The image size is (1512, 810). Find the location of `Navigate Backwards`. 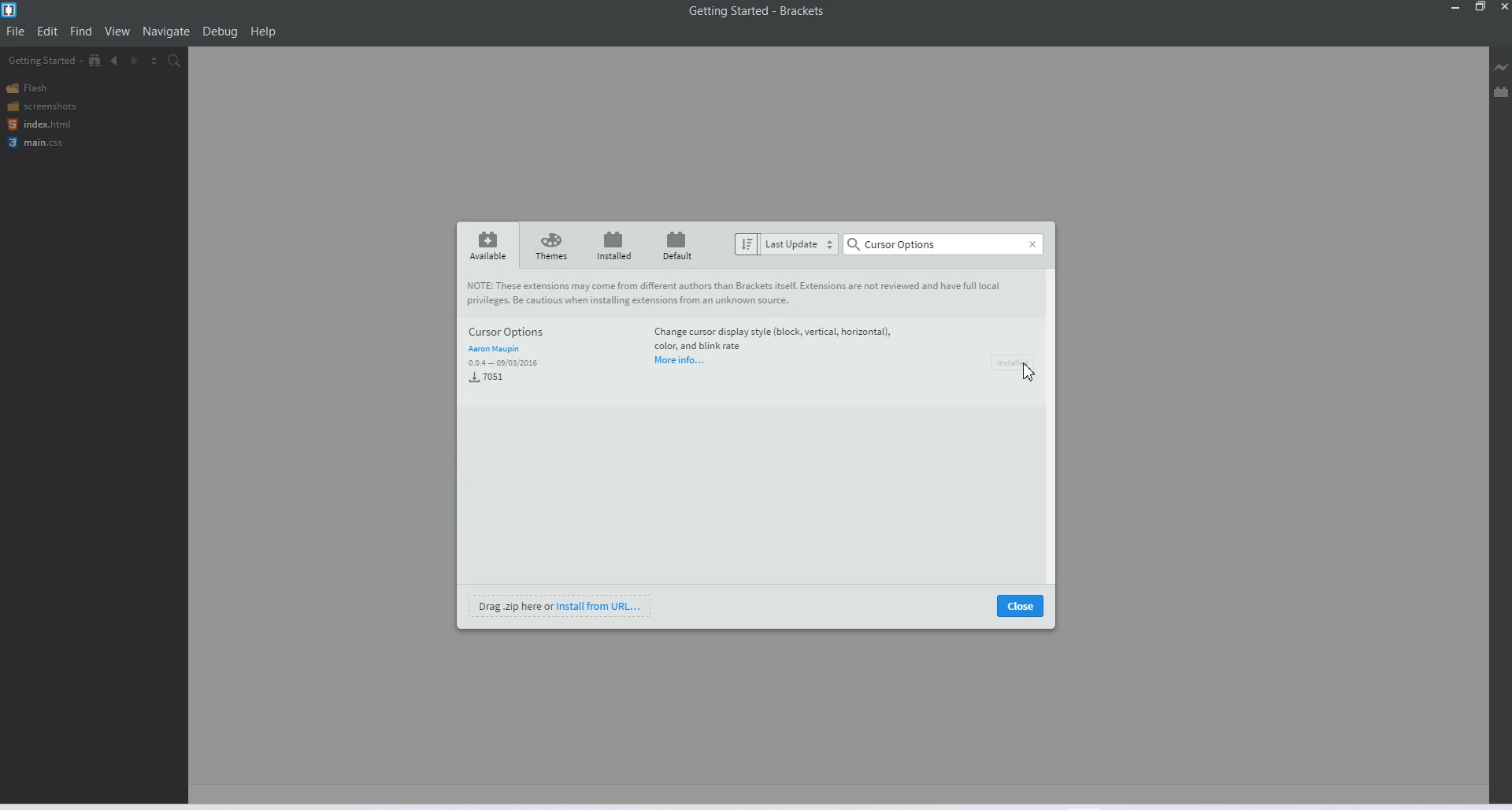

Navigate Backwards is located at coordinates (115, 61).